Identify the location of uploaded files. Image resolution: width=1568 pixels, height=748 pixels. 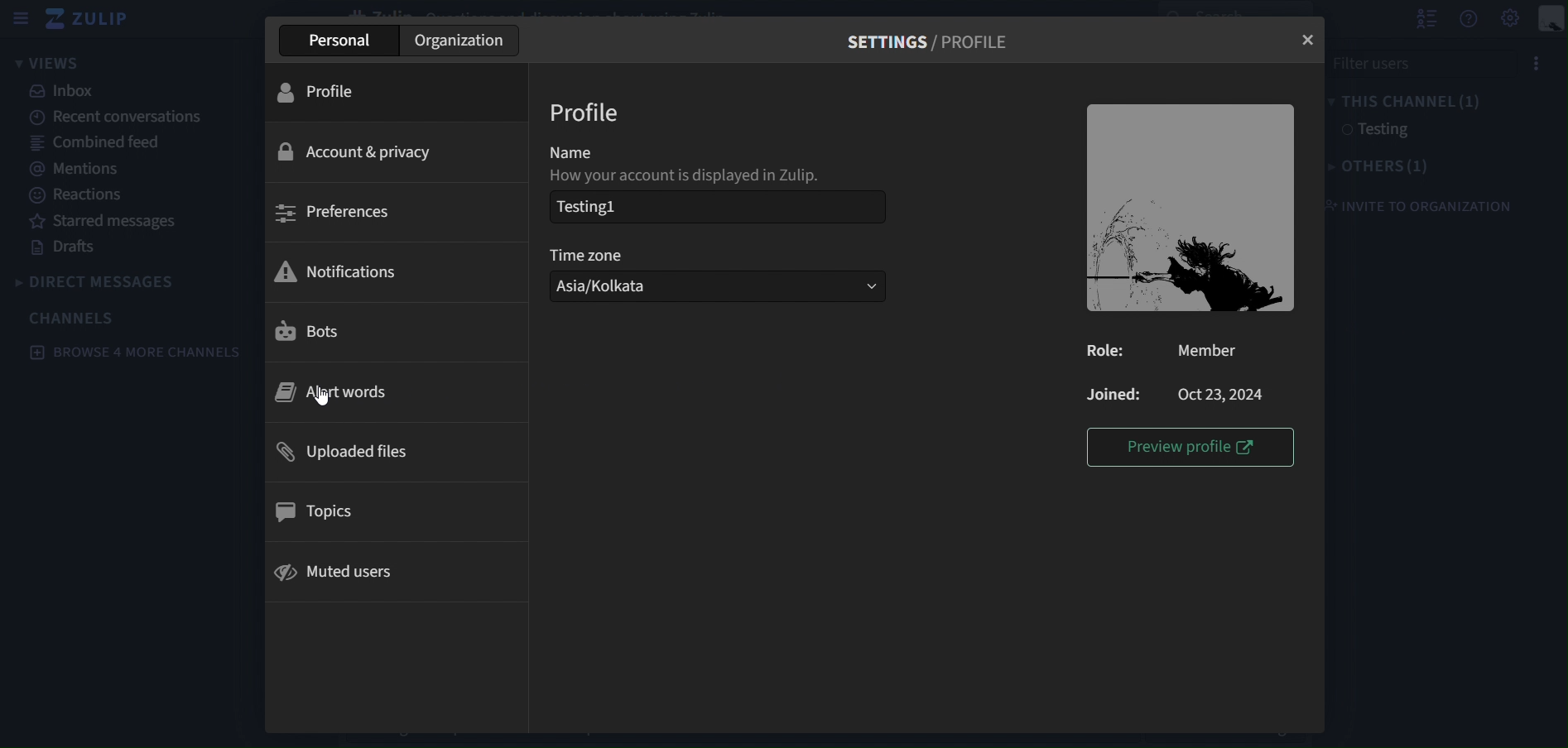
(346, 452).